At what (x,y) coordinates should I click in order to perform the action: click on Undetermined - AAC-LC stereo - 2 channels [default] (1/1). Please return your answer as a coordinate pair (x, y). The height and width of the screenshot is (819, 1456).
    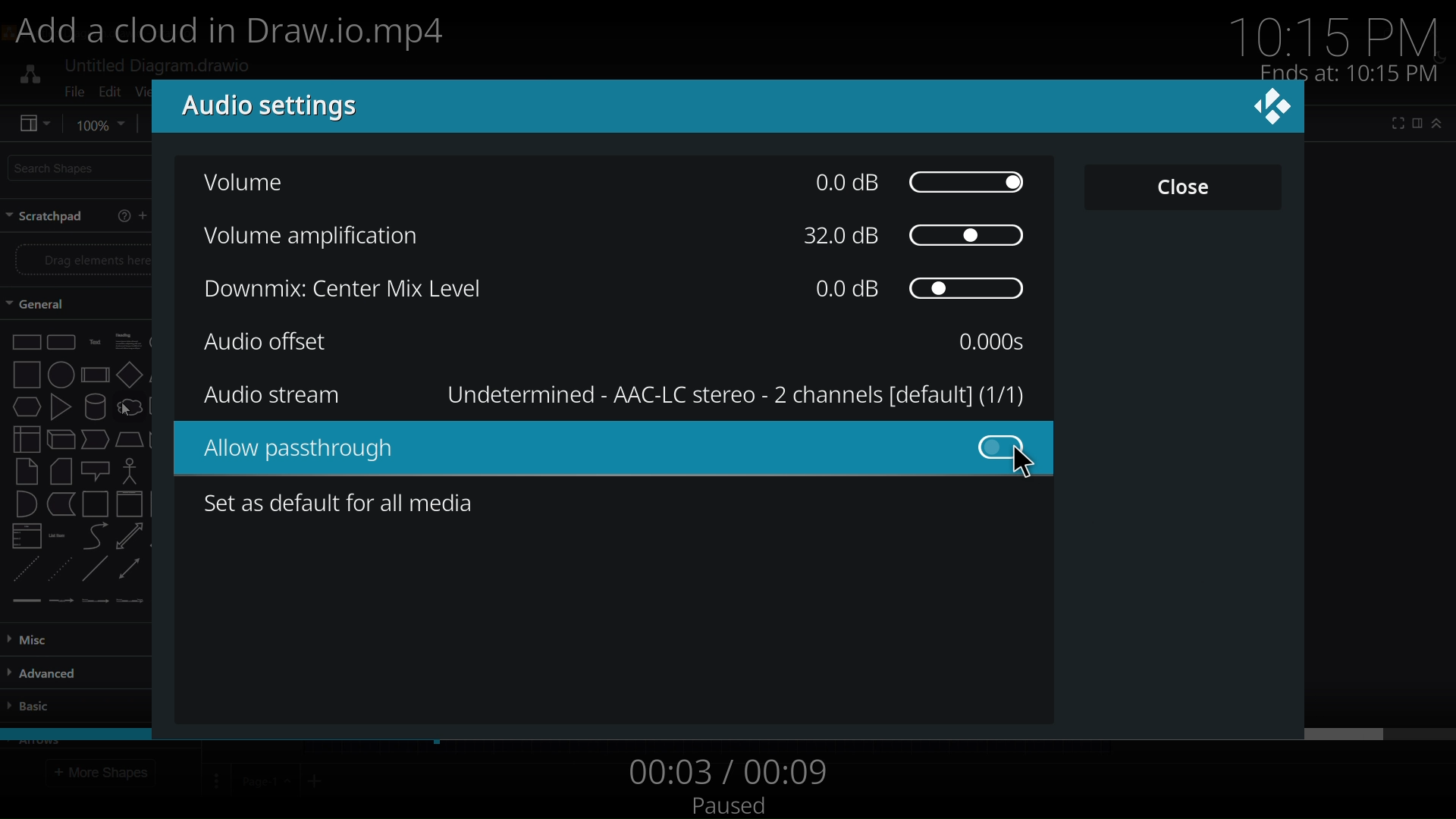
    Looking at the image, I should click on (733, 397).